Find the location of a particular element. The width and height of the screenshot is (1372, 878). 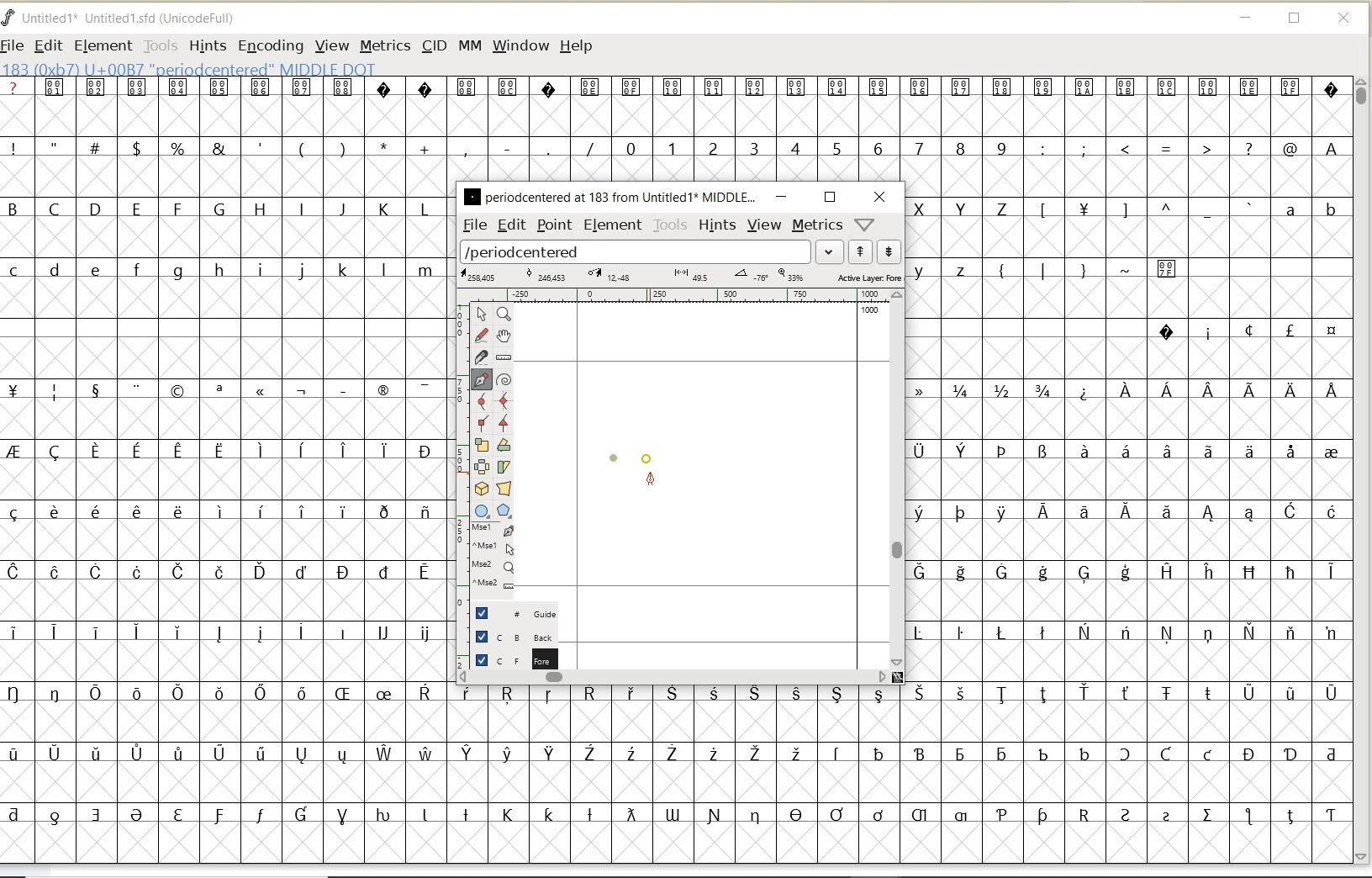

FONT NAME is located at coordinates (131, 19).